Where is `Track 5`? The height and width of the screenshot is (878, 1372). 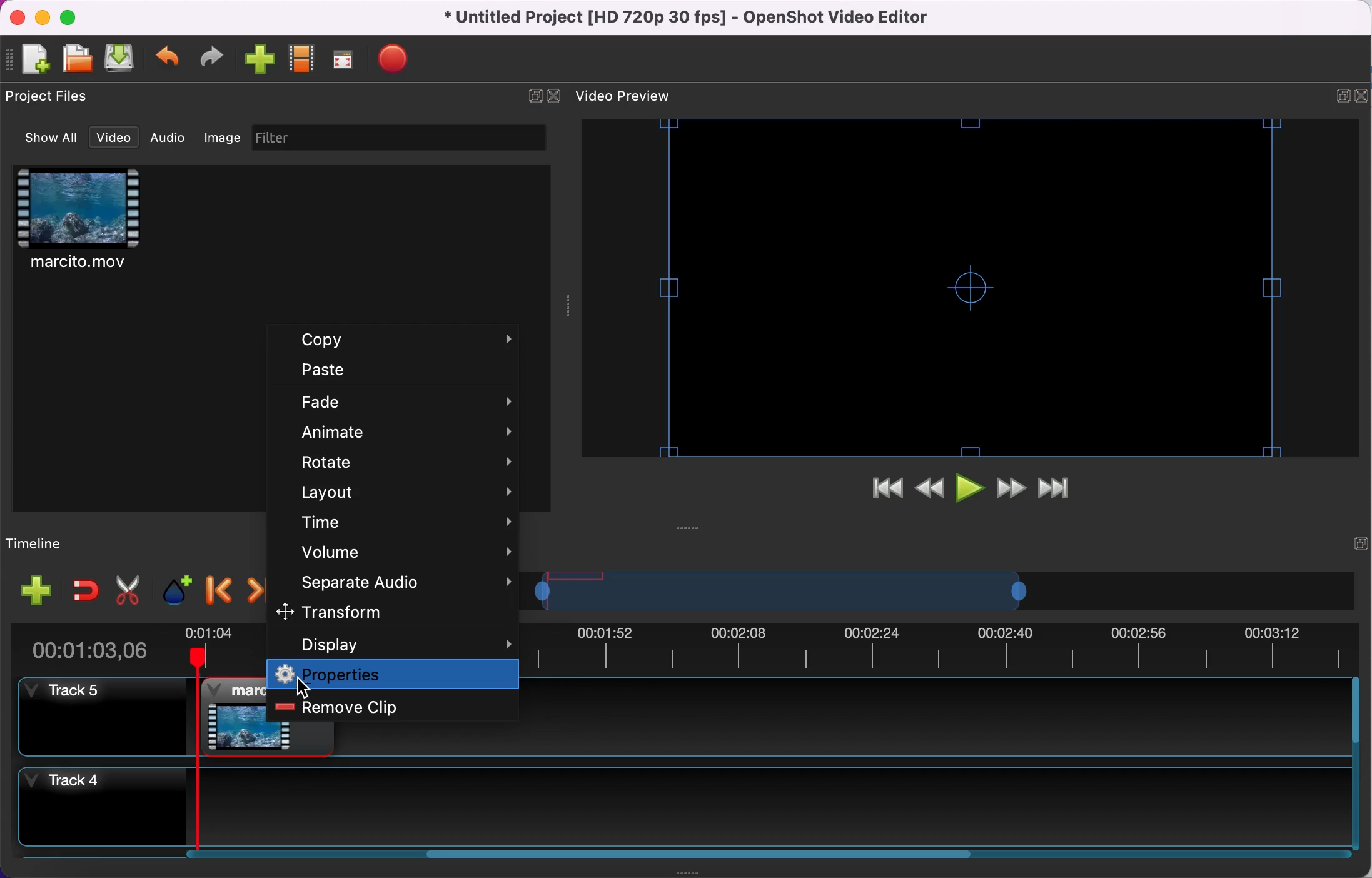 Track 5 is located at coordinates (935, 717).